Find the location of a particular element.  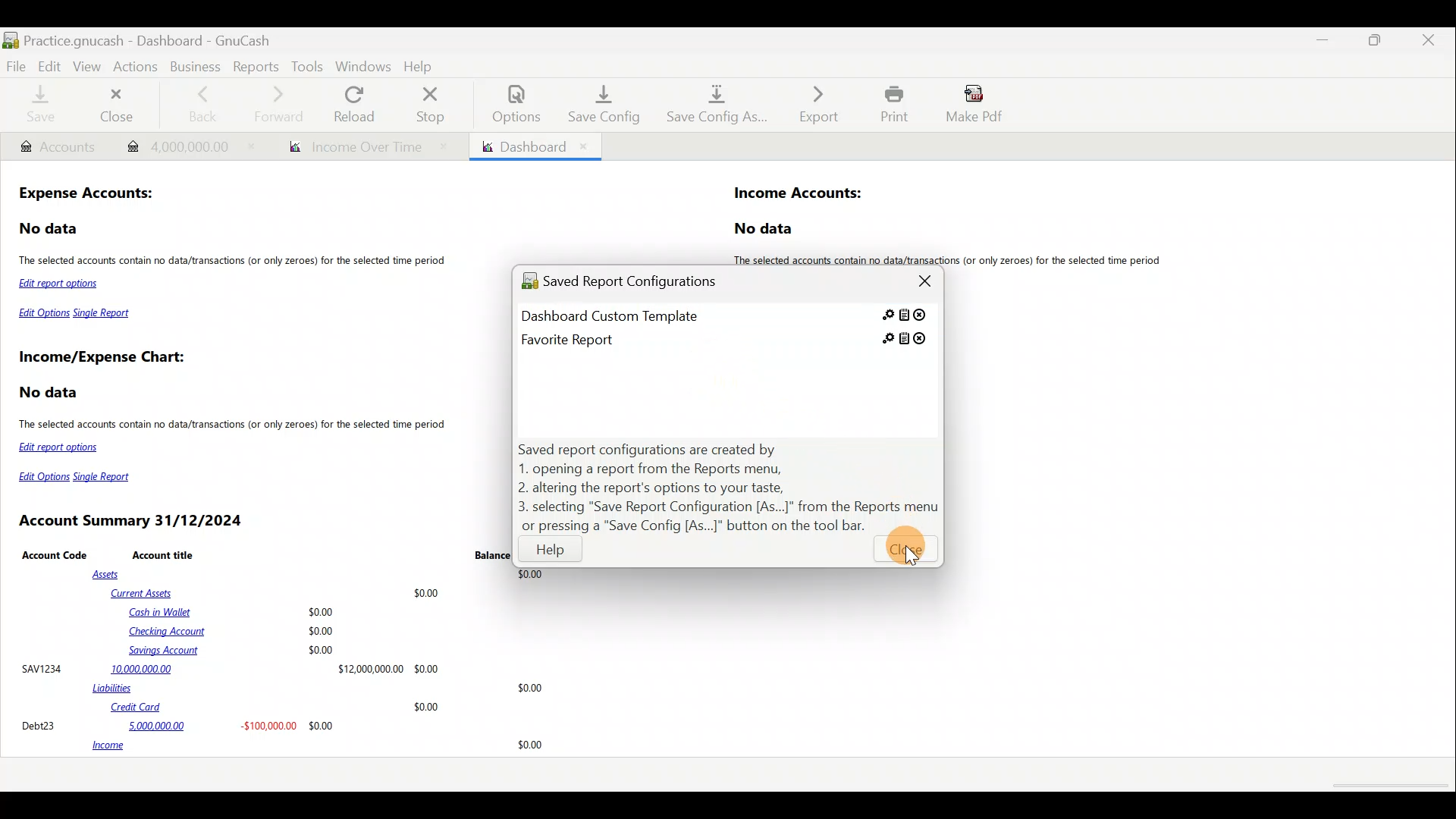

Credit Card $0.00 is located at coordinates (276, 708).